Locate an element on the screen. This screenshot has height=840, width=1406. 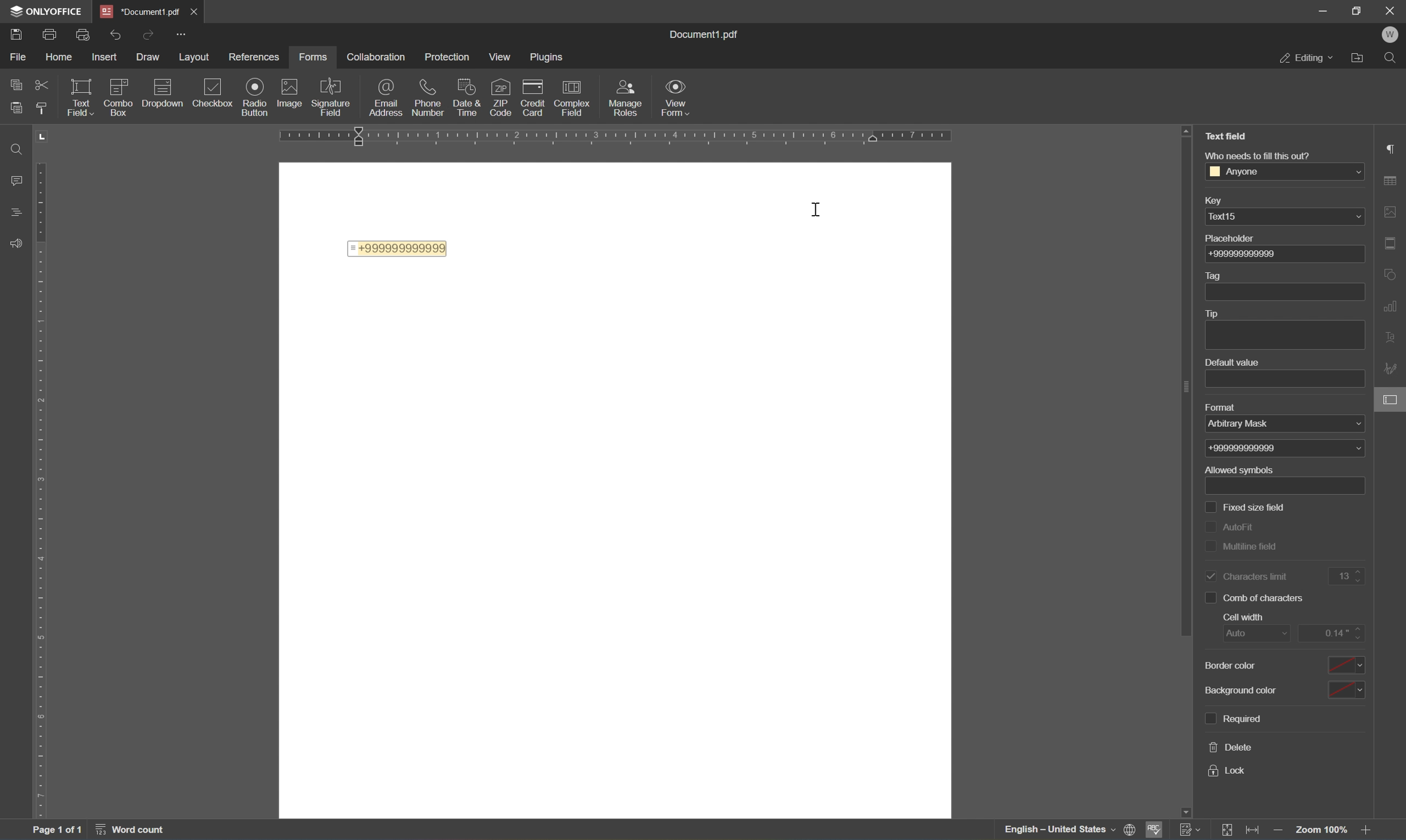
auto is located at coordinates (1247, 635).